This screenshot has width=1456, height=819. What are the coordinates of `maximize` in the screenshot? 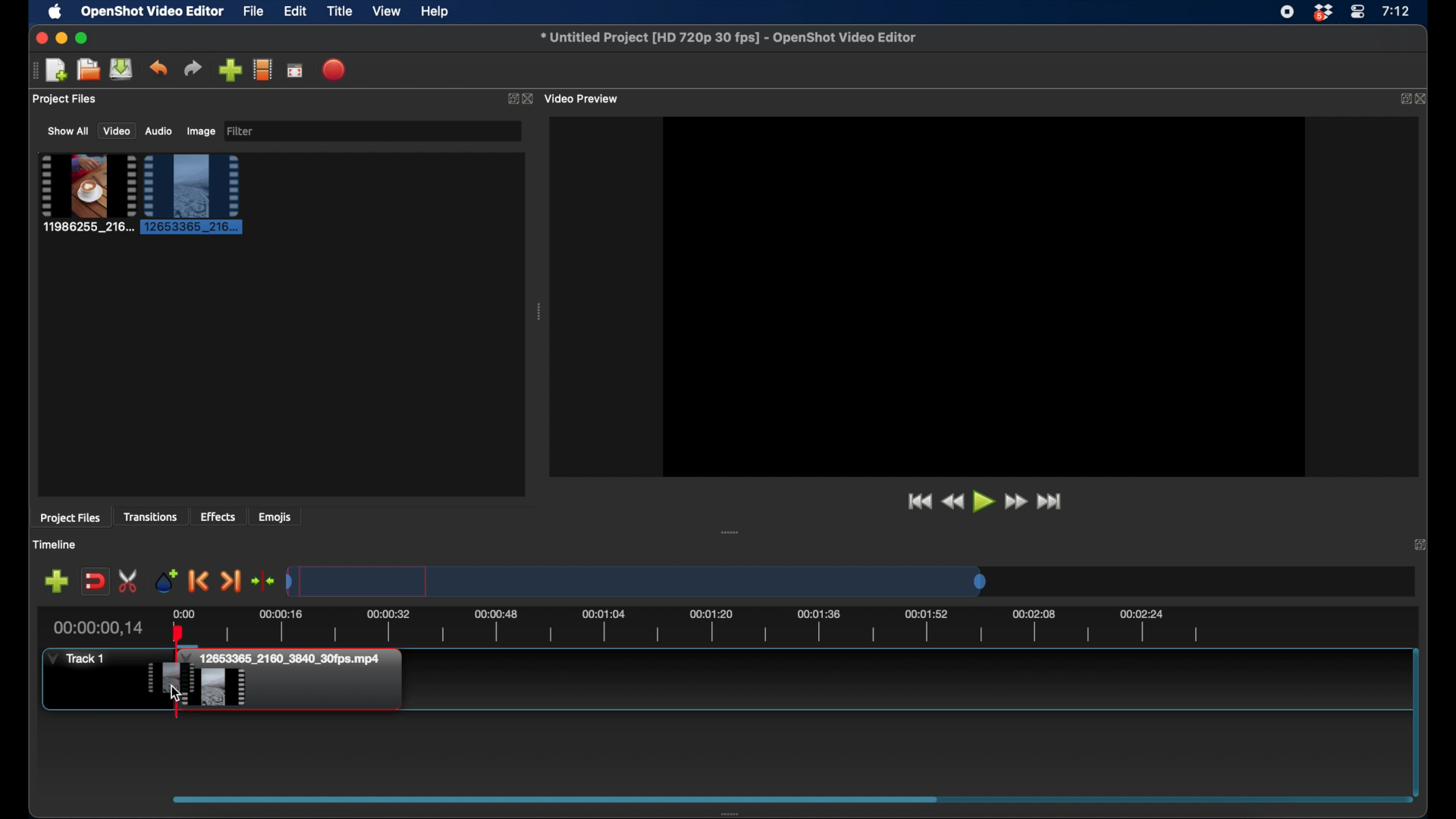 It's located at (83, 39).